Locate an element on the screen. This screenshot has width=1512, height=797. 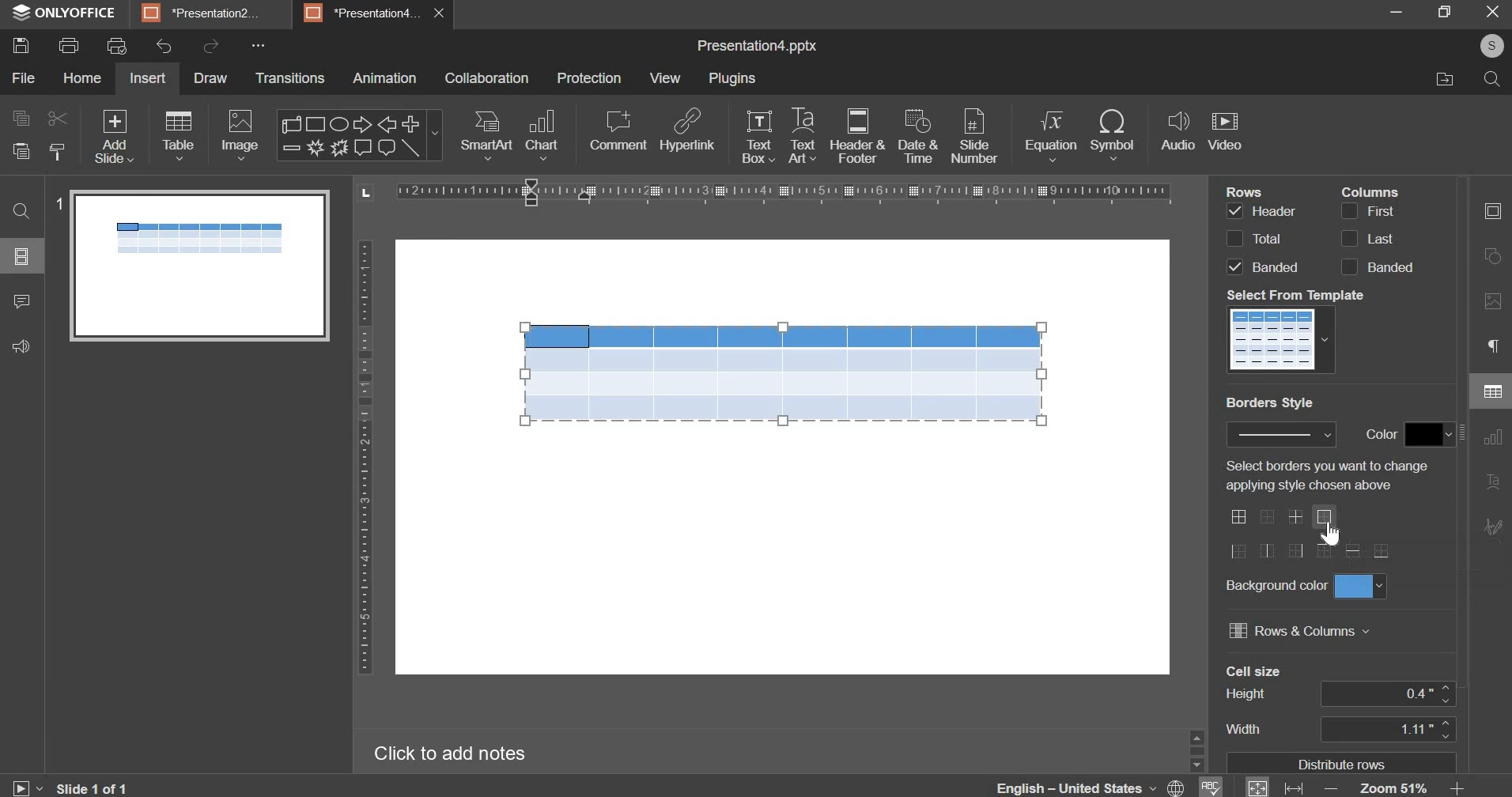
save is located at coordinates (21, 46).